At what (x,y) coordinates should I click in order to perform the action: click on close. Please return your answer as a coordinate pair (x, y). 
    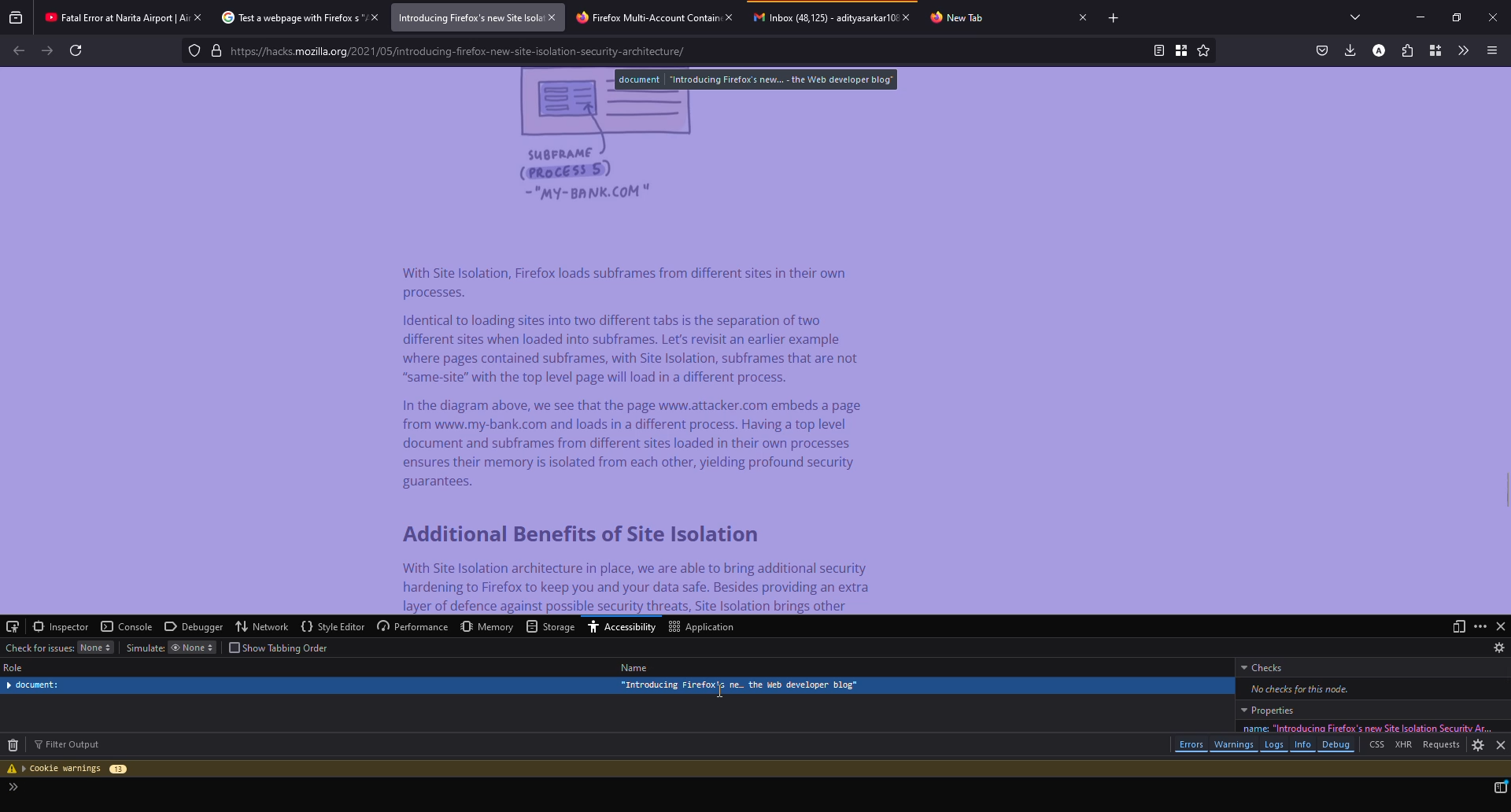
    Looking at the image, I should click on (731, 17).